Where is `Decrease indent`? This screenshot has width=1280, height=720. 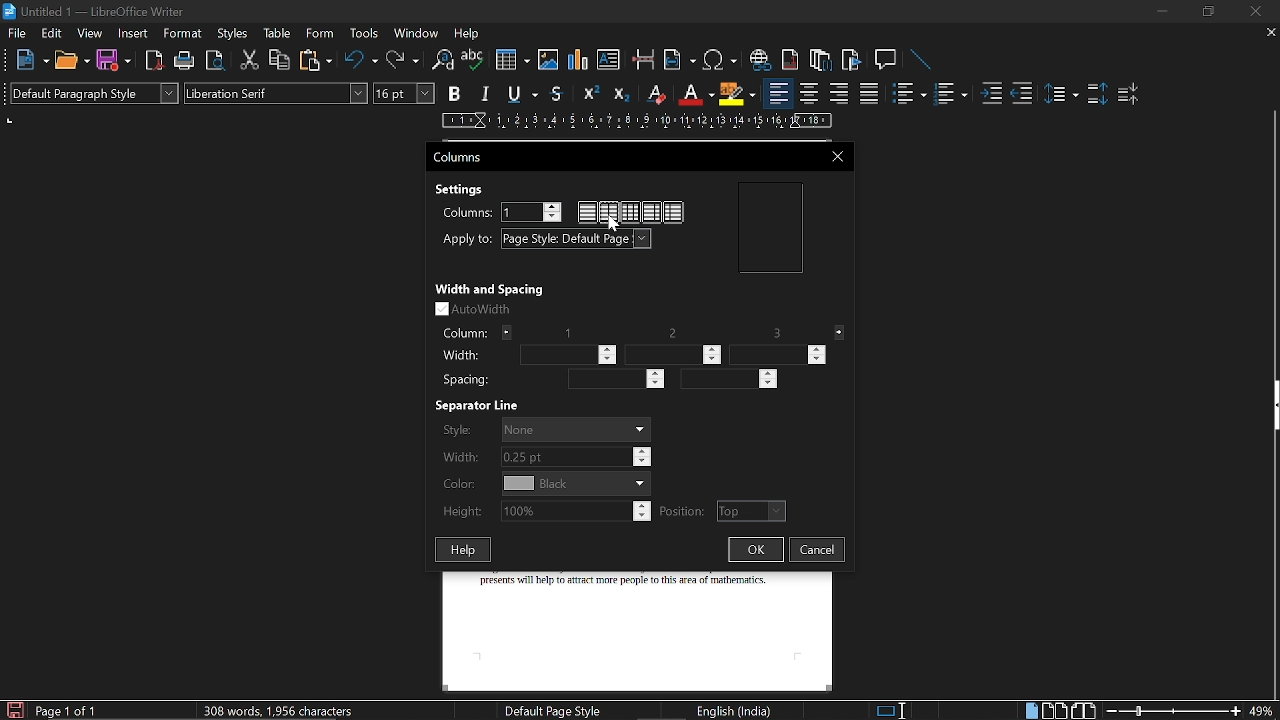 Decrease indent is located at coordinates (1026, 93).